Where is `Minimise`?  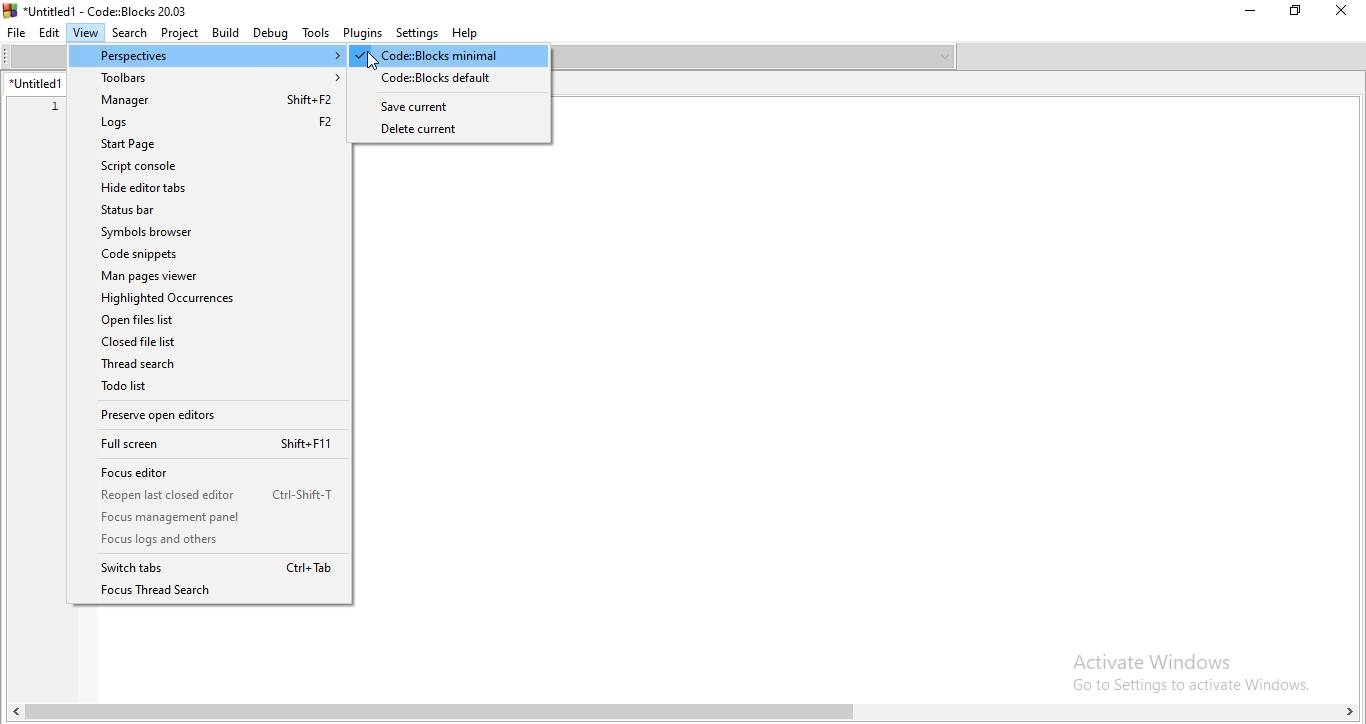
Minimise is located at coordinates (1250, 12).